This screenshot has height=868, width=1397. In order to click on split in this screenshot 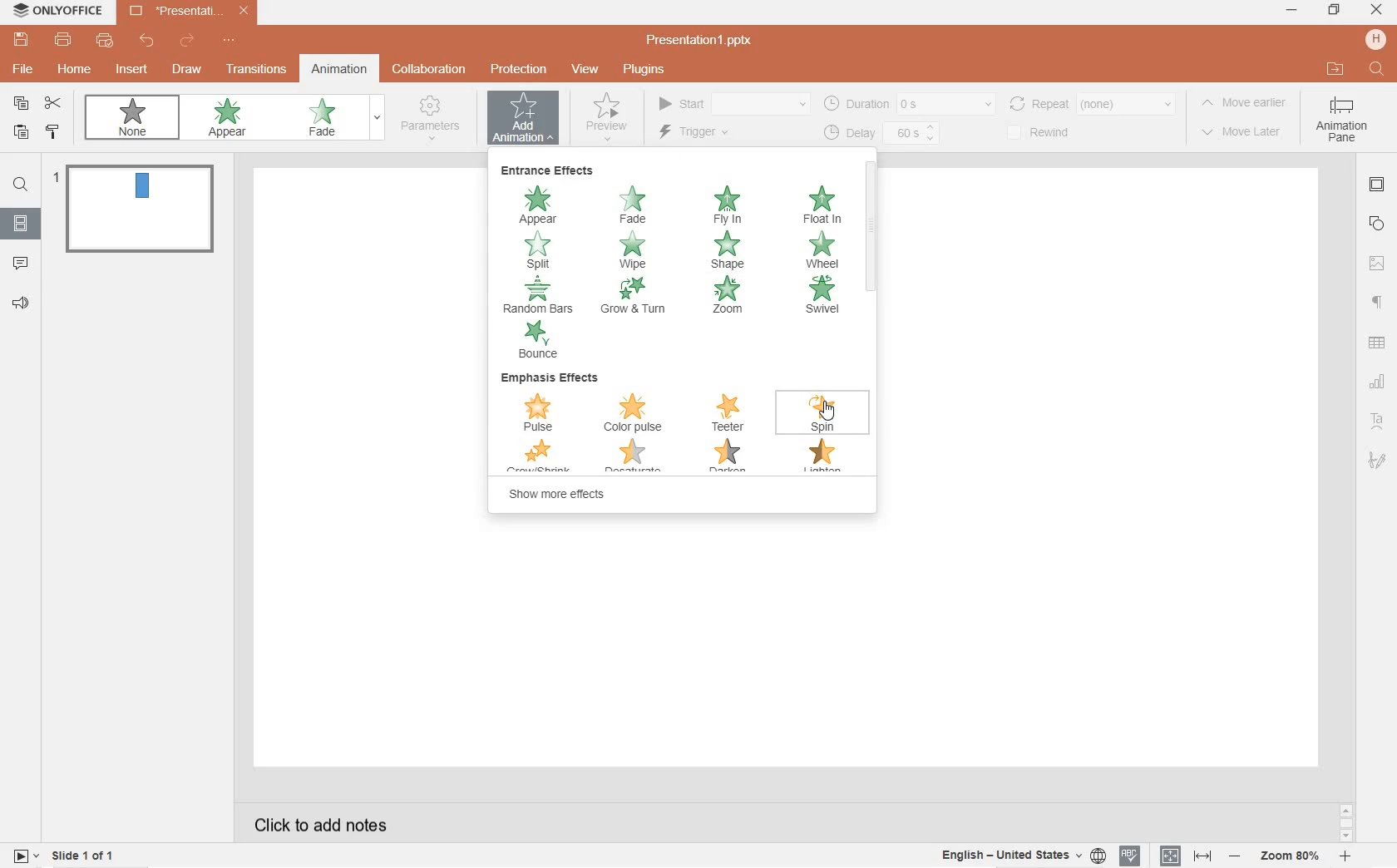, I will do `click(545, 251)`.